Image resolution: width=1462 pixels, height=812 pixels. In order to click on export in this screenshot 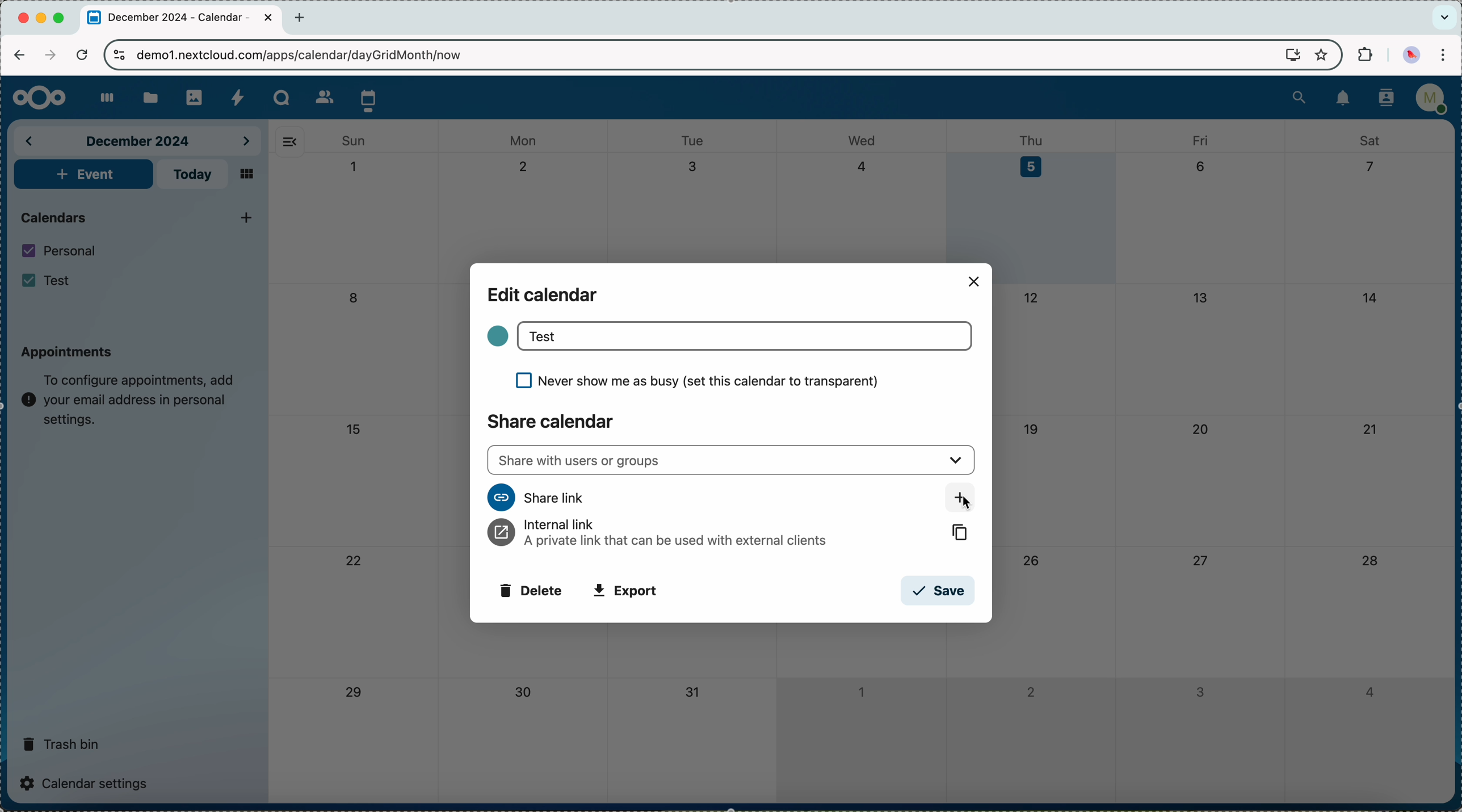, I will do `click(626, 592)`.